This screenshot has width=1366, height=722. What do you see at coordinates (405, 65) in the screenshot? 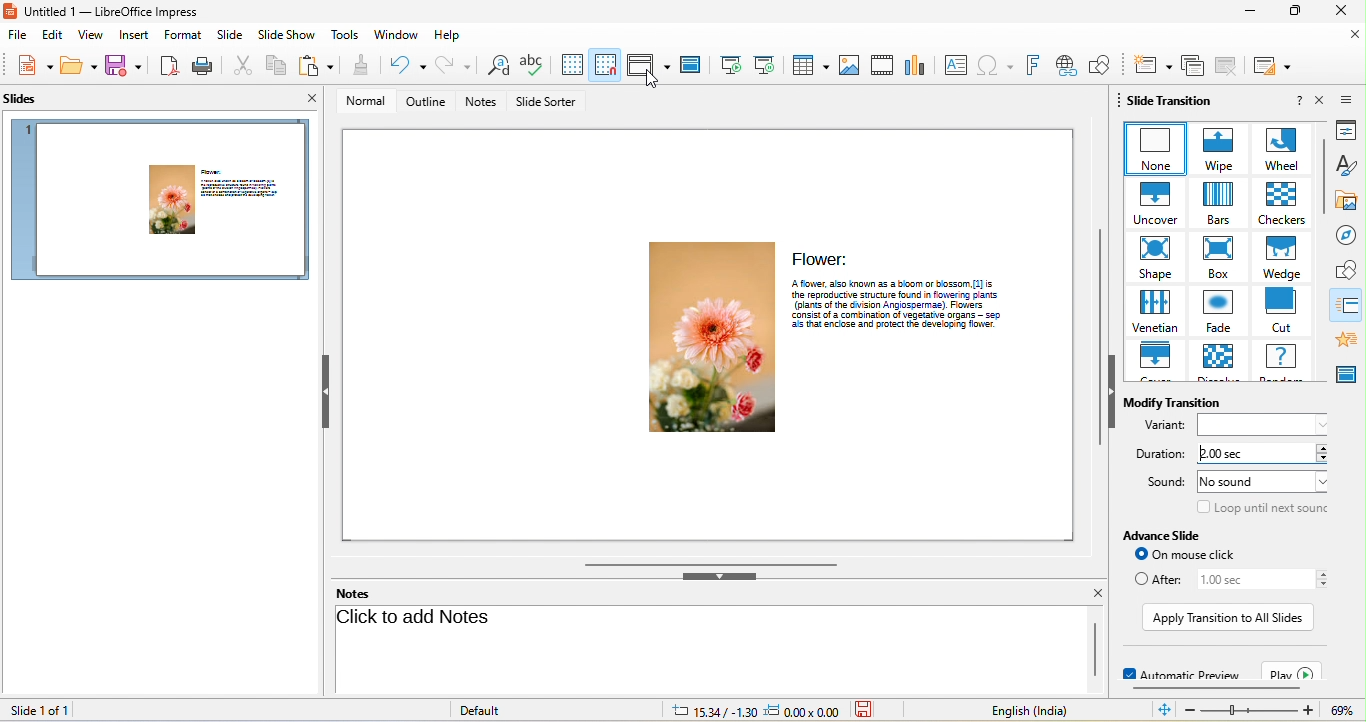
I see `undo` at bounding box center [405, 65].